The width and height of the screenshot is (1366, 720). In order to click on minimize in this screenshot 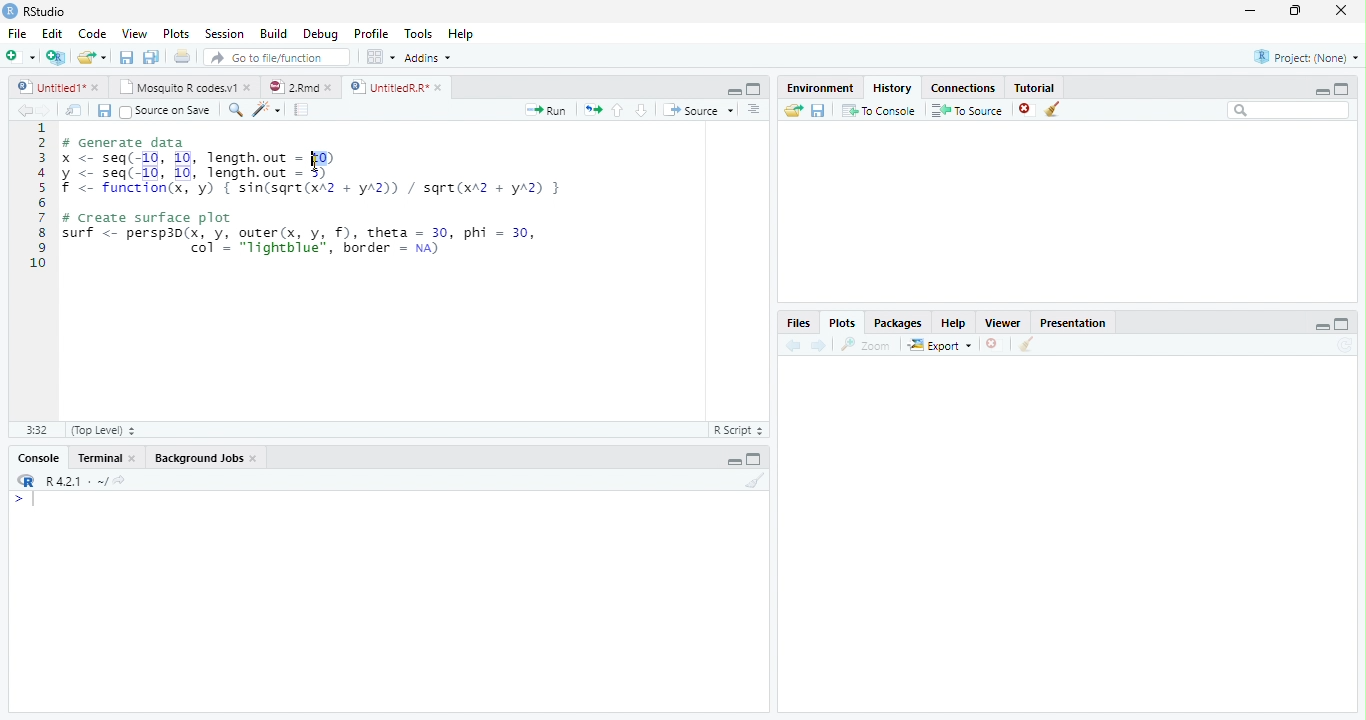, I will do `click(1250, 10)`.